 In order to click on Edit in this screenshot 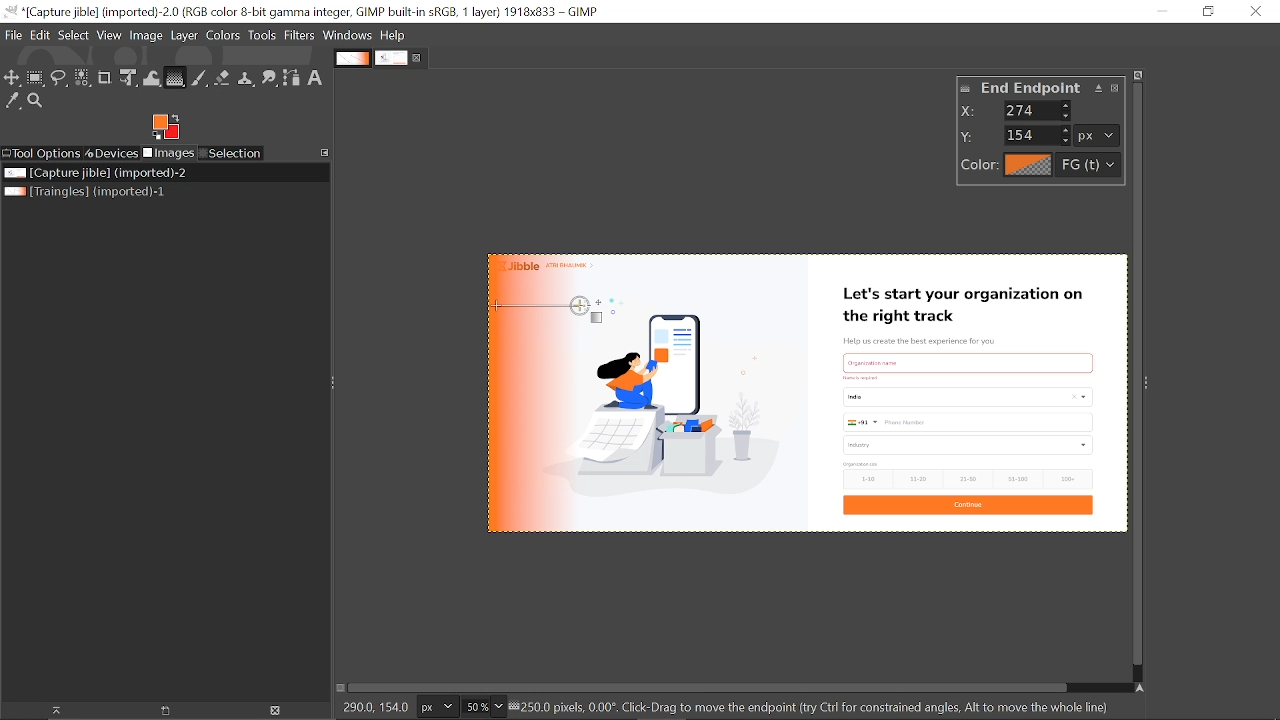, I will do `click(39, 35)`.